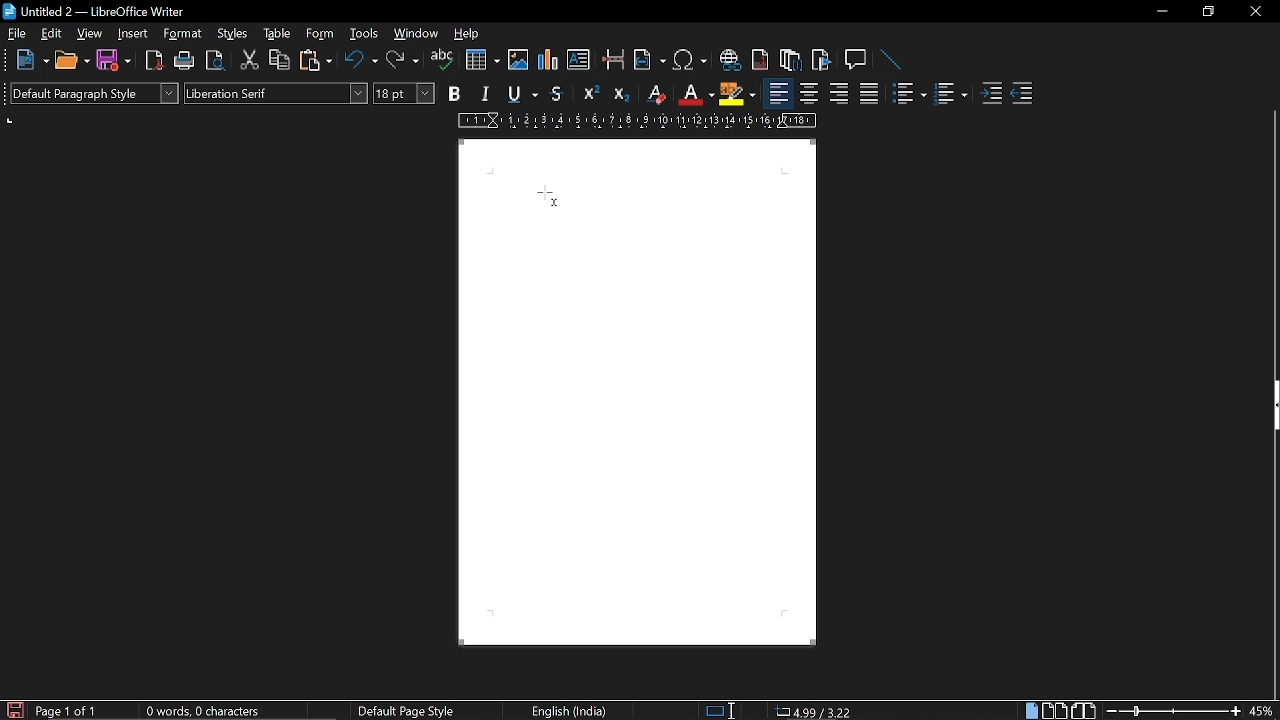 The image size is (1280, 720). I want to click on Cursor, so click(549, 200).